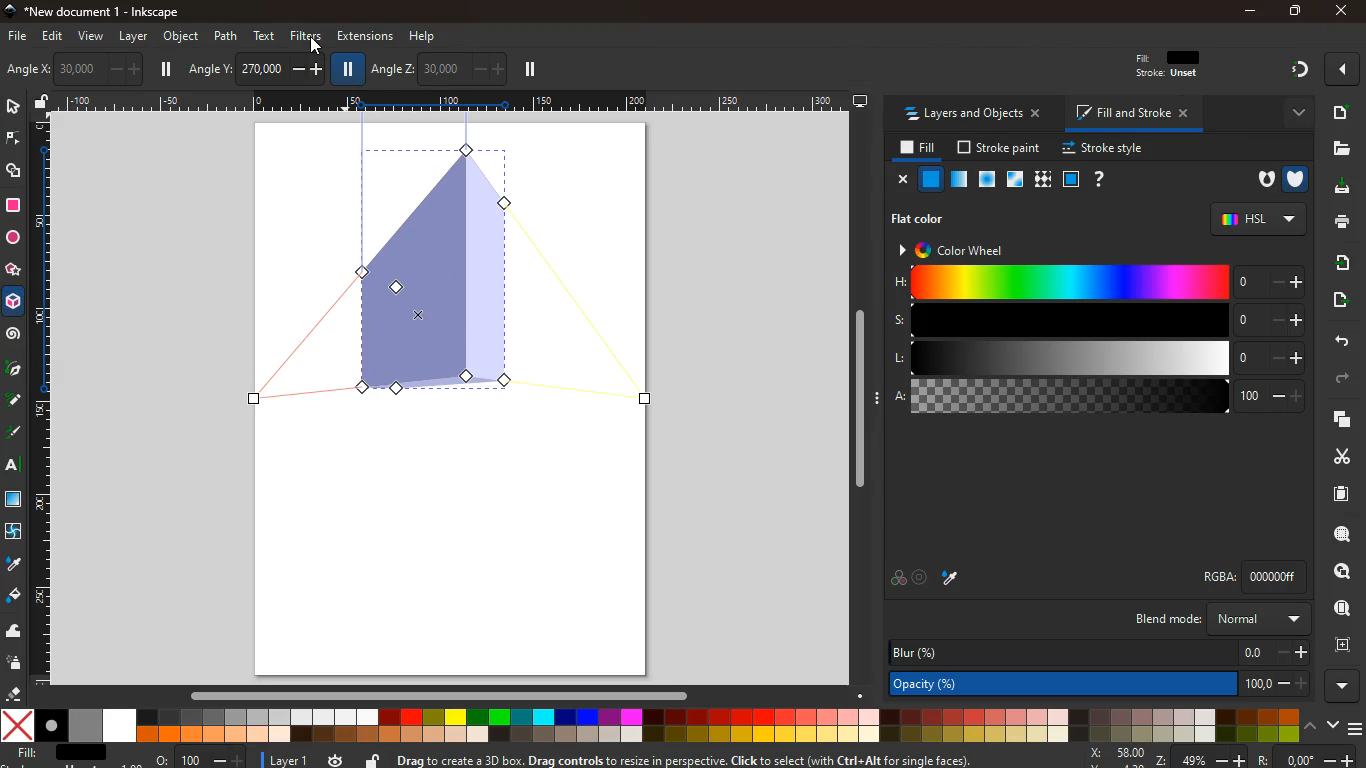 The image size is (1366, 768). What do you see at coordinates (1293, 12) in the screenshot?
I see `Restore` at bounding box center [1293, 12].